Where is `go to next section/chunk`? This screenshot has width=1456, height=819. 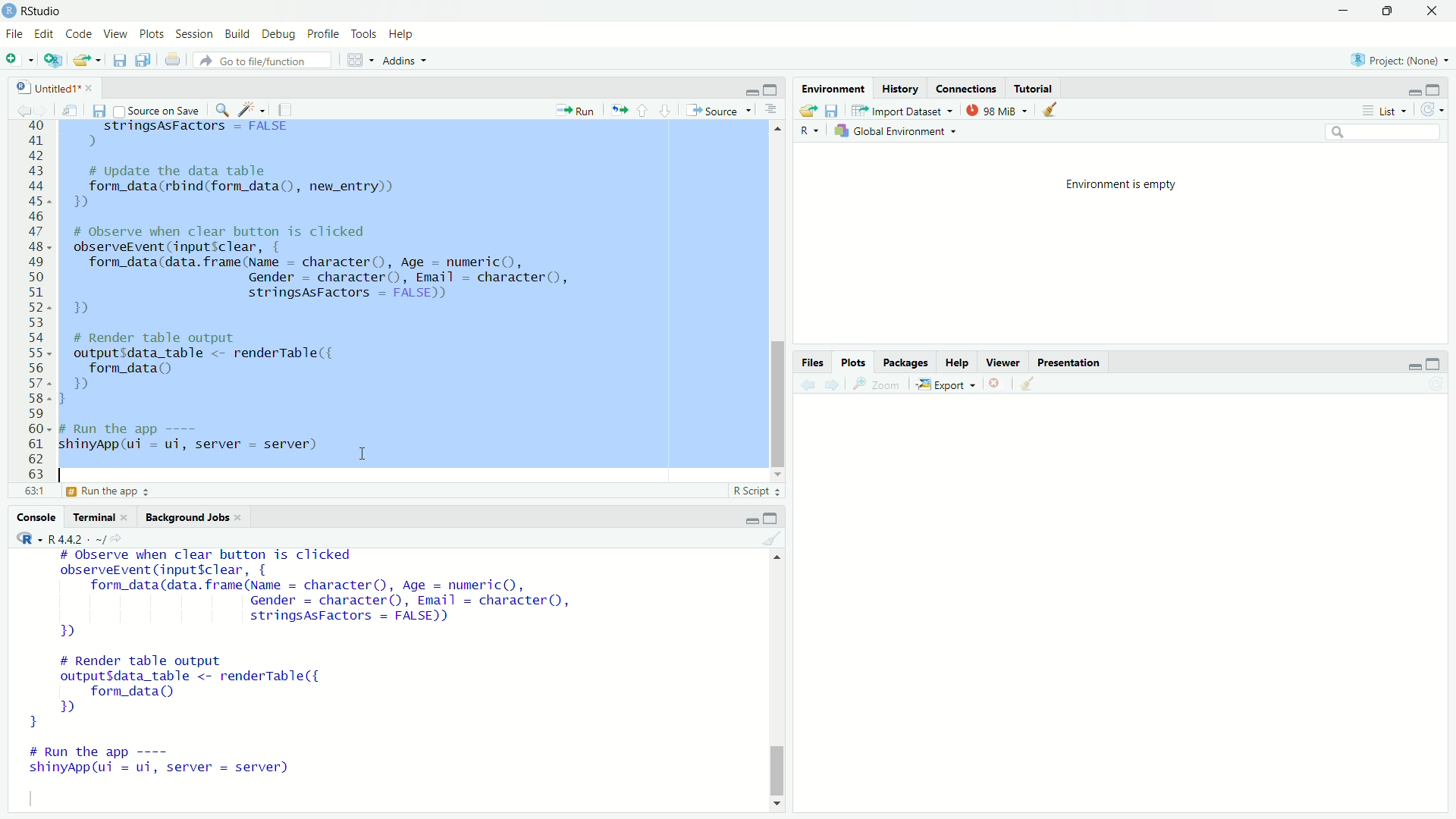
go to next section/chunk is located at coordinates (664, 109).